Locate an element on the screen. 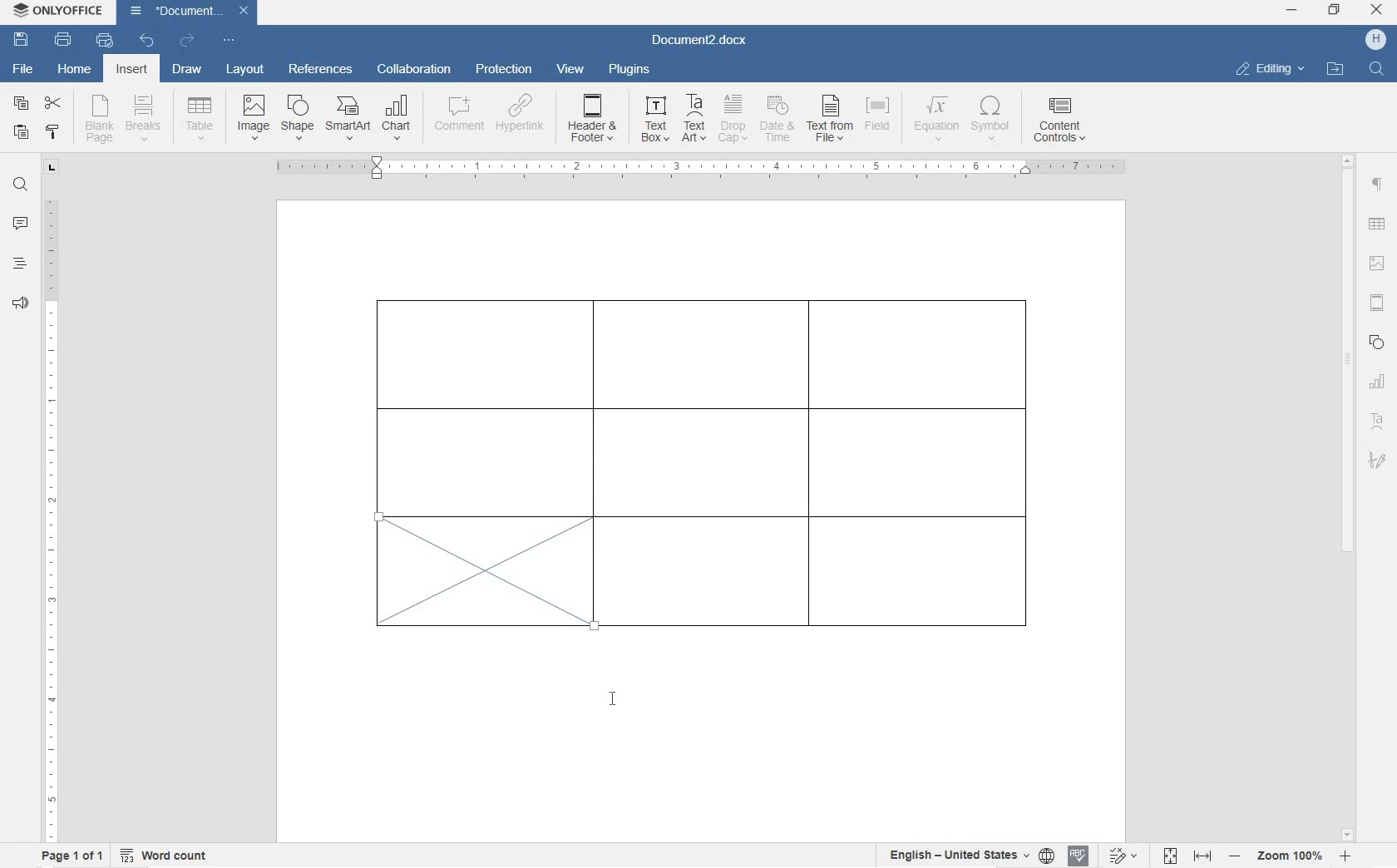  print is located at coordinates (64, 39).